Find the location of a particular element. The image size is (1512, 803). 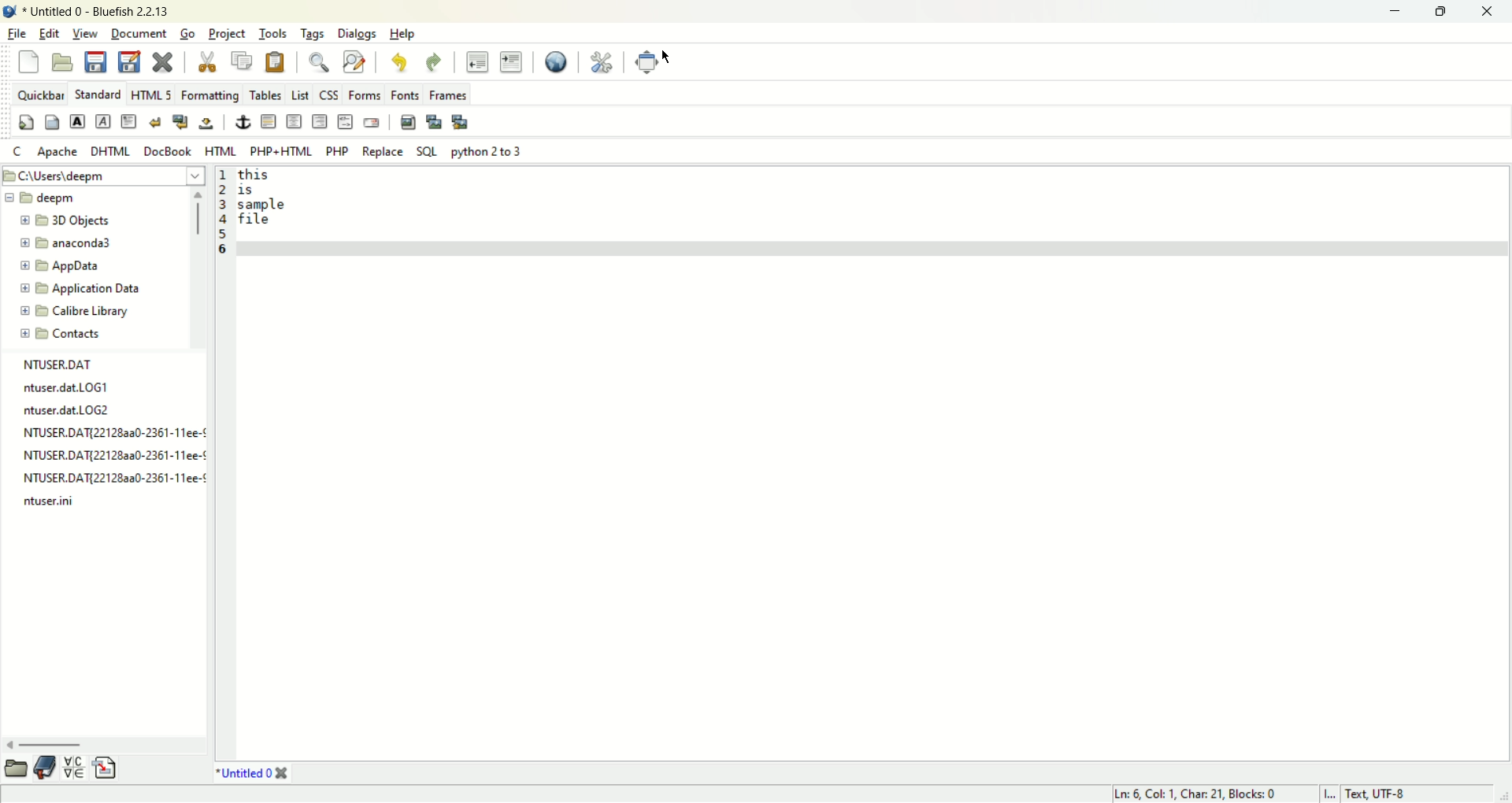

tools is located at coordinates (274, 32).